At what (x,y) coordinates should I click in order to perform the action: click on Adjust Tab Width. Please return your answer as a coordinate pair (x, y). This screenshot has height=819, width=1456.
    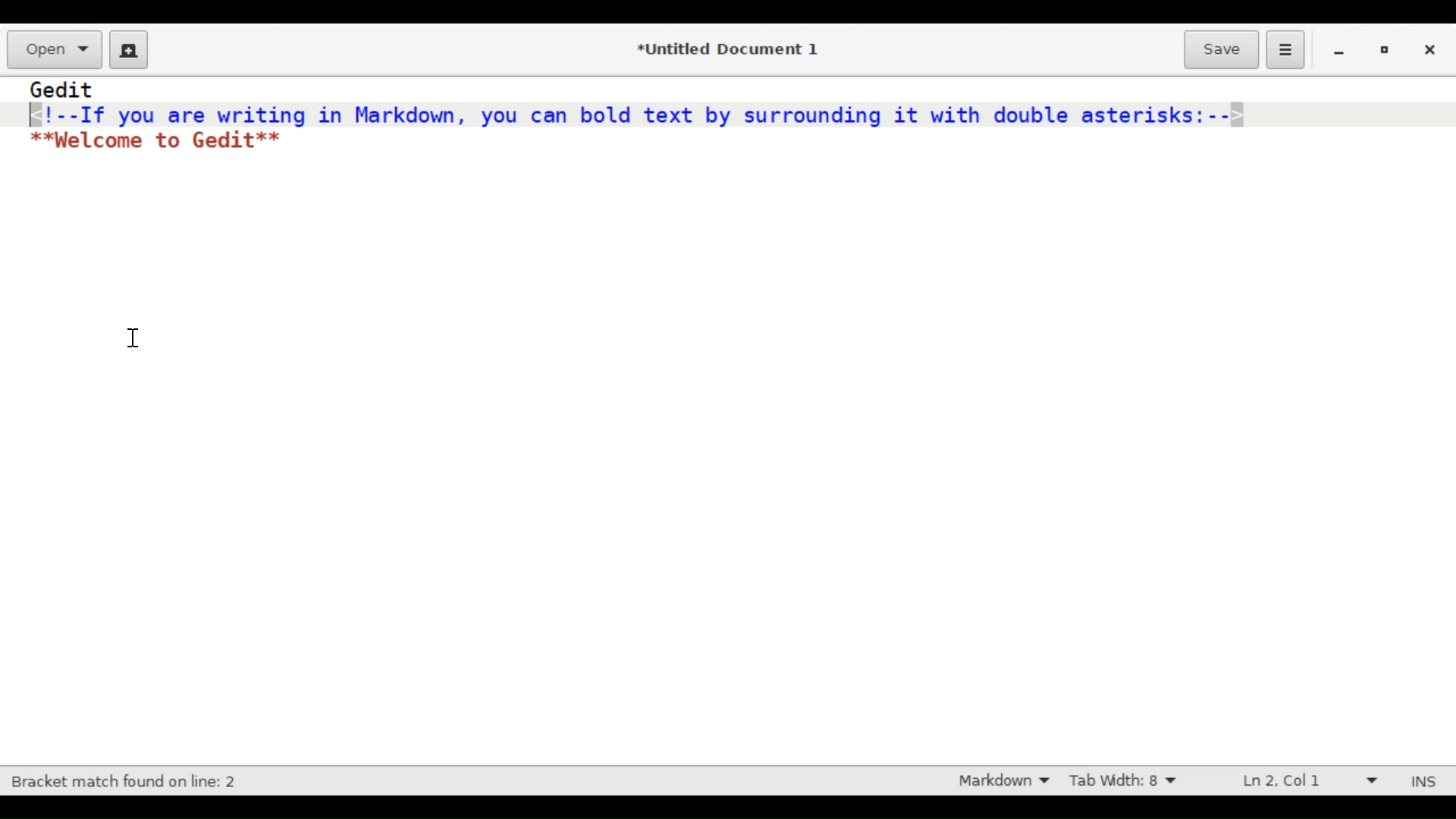
    Looking at the image, I should click on (1134, 780).